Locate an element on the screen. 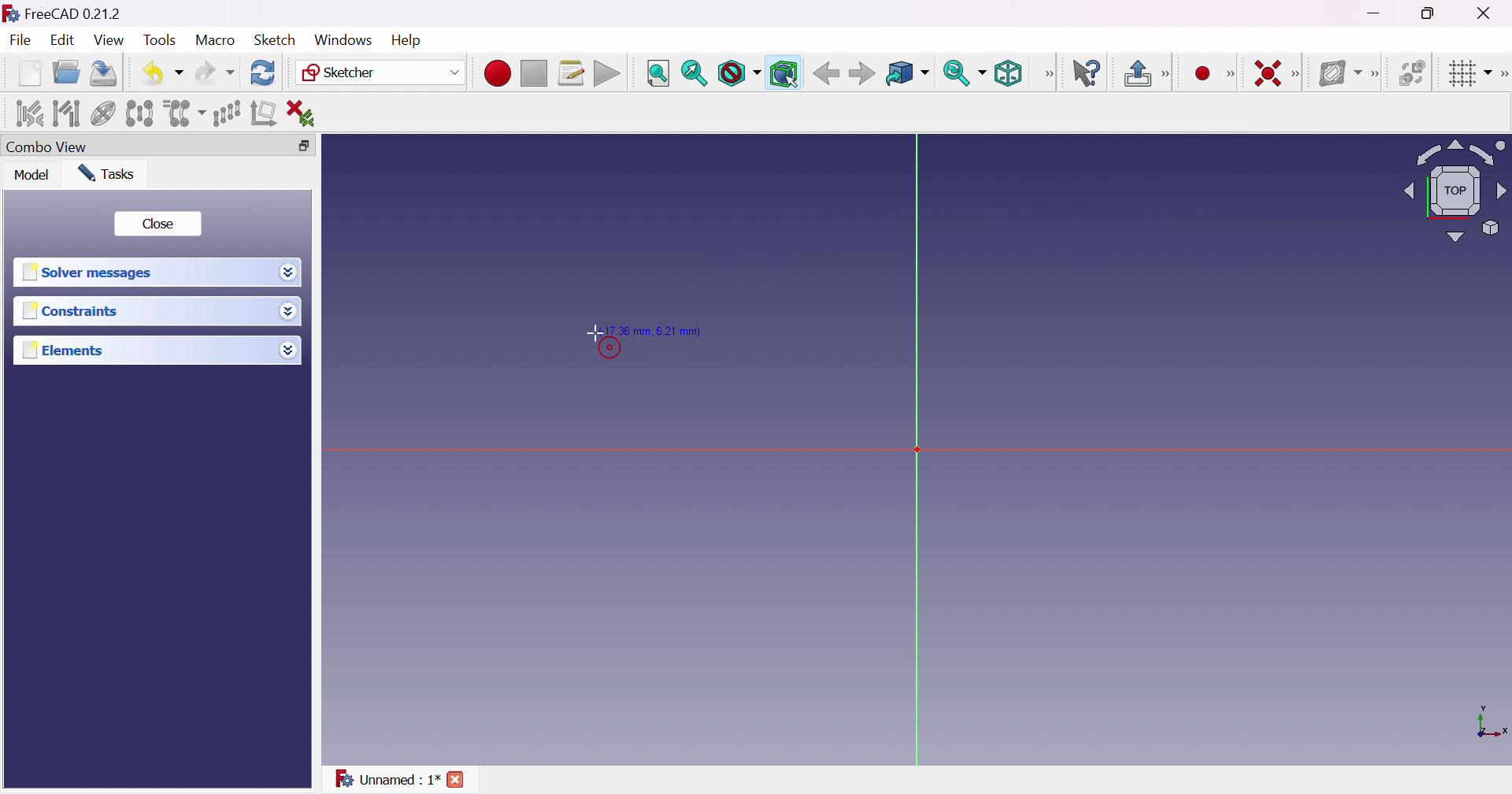 The height and width of the screenshot is (794, 1512). File is located at coordinates (20, 40).